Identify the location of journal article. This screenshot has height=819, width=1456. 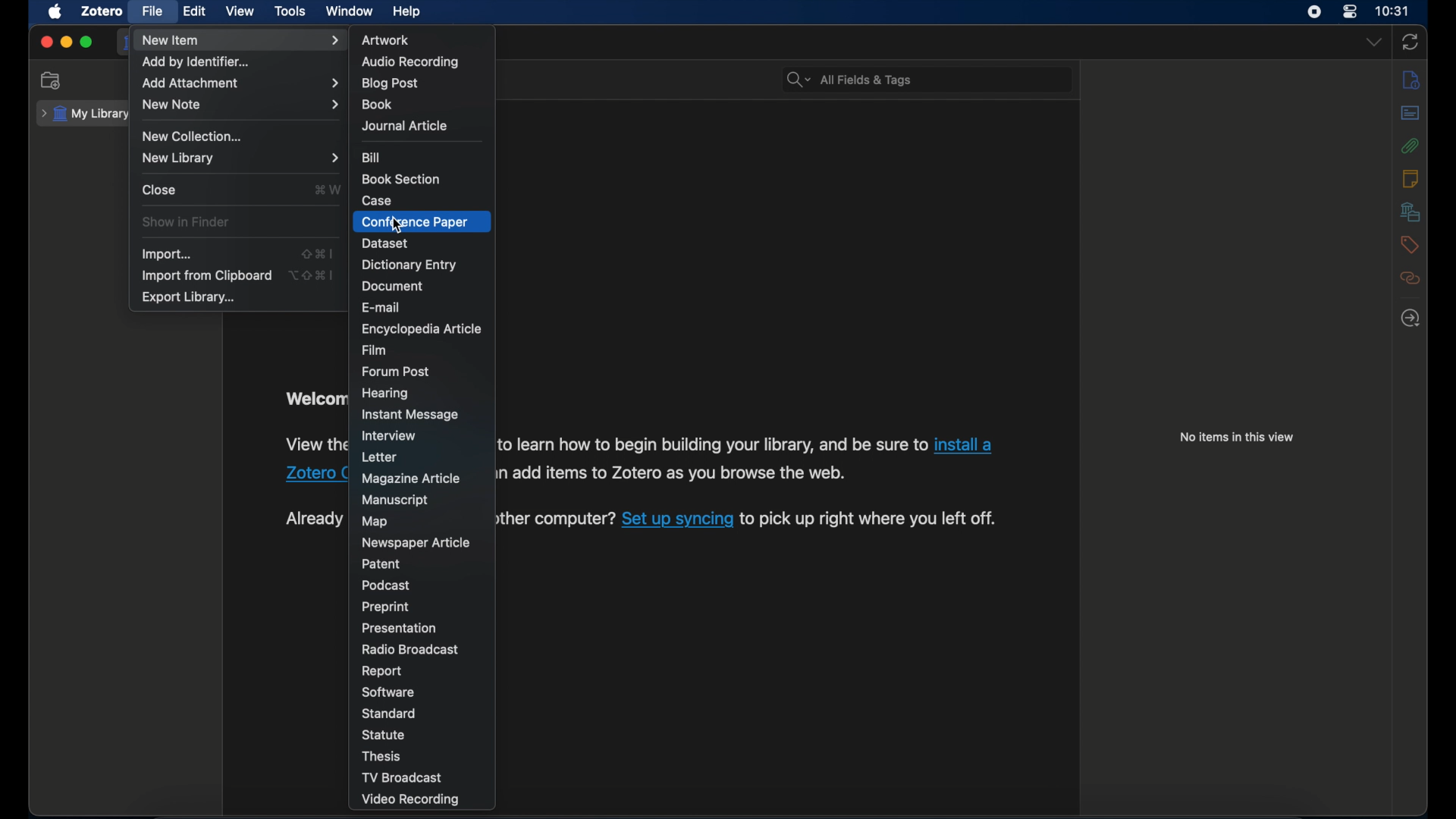
(404, 125).